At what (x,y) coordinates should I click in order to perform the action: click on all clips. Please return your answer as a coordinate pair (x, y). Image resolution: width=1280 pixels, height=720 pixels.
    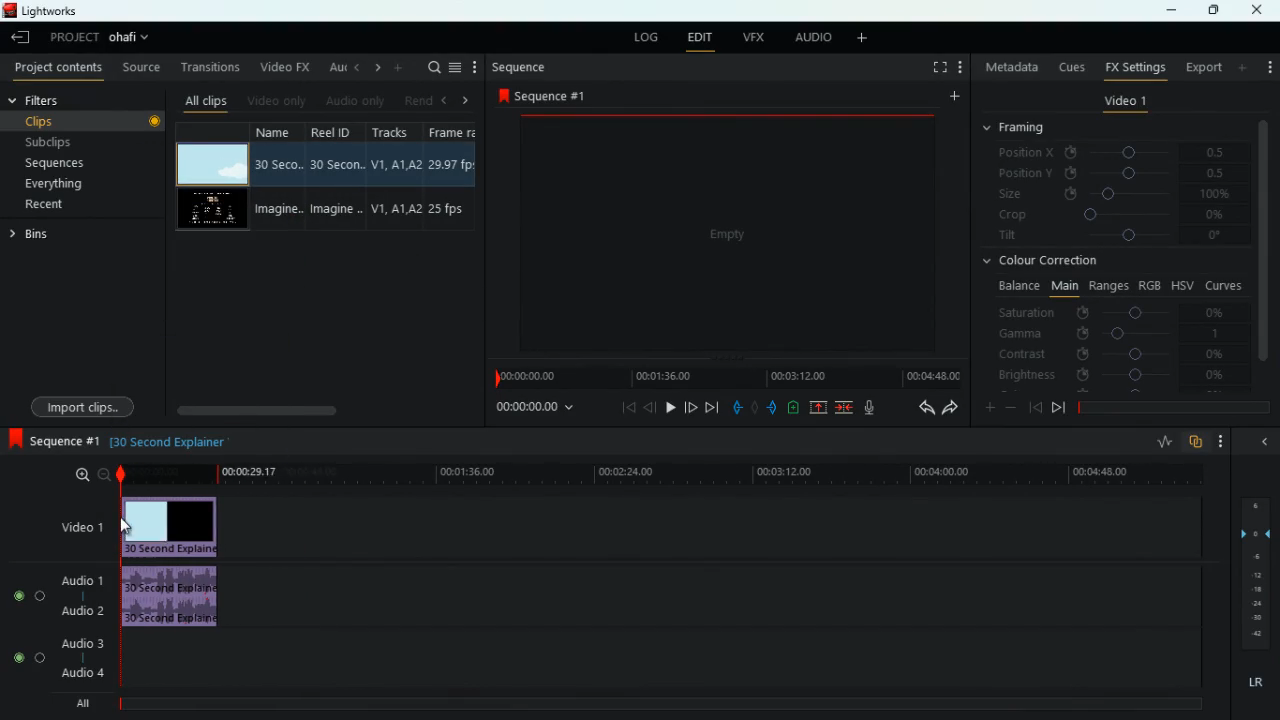
    Looking at the image, I should click on (203, 101).